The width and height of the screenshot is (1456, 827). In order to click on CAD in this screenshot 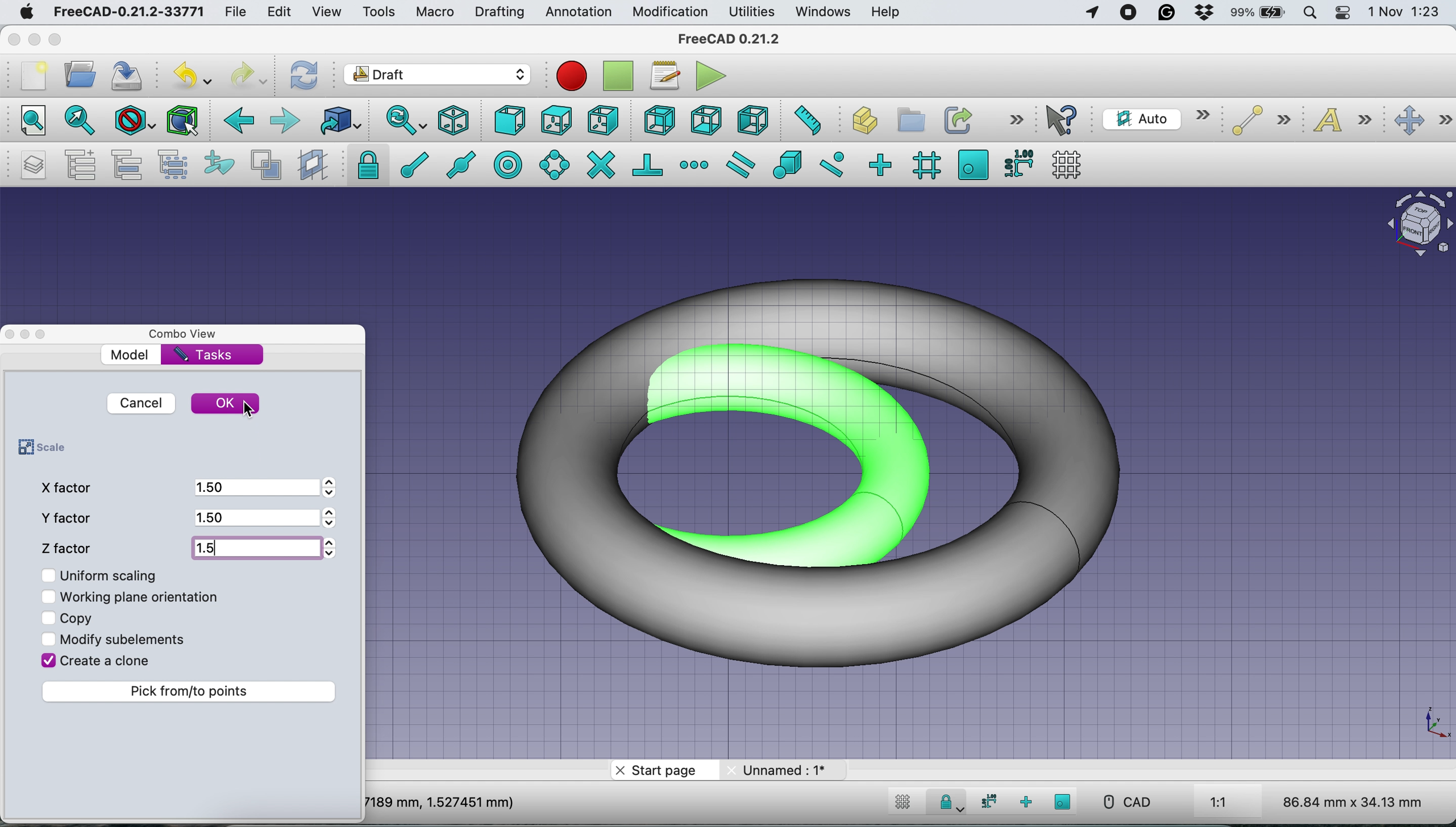, I will do `click(1121, 802)`.